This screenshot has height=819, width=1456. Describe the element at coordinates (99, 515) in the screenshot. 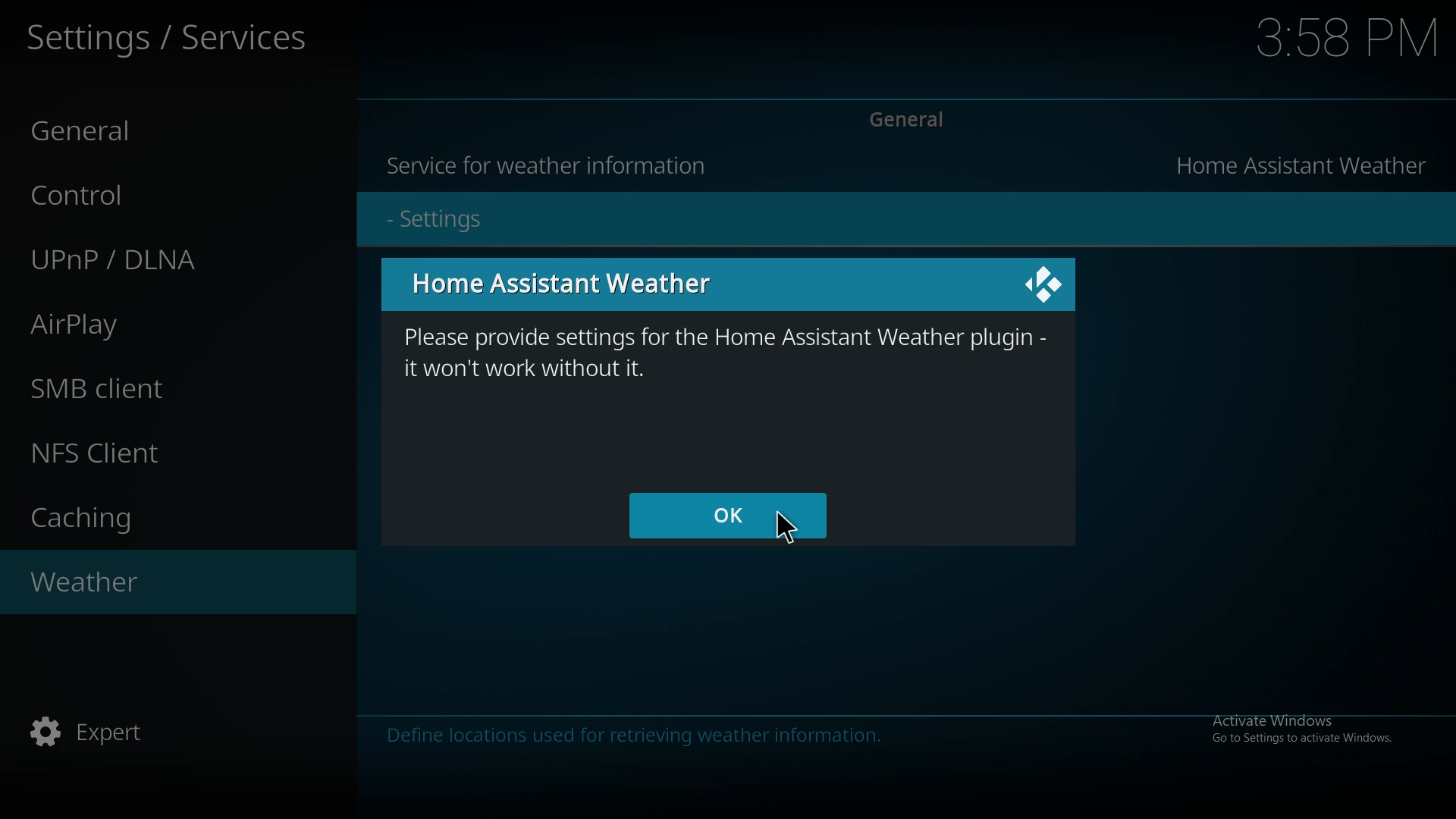

I see `Caching` at that location.